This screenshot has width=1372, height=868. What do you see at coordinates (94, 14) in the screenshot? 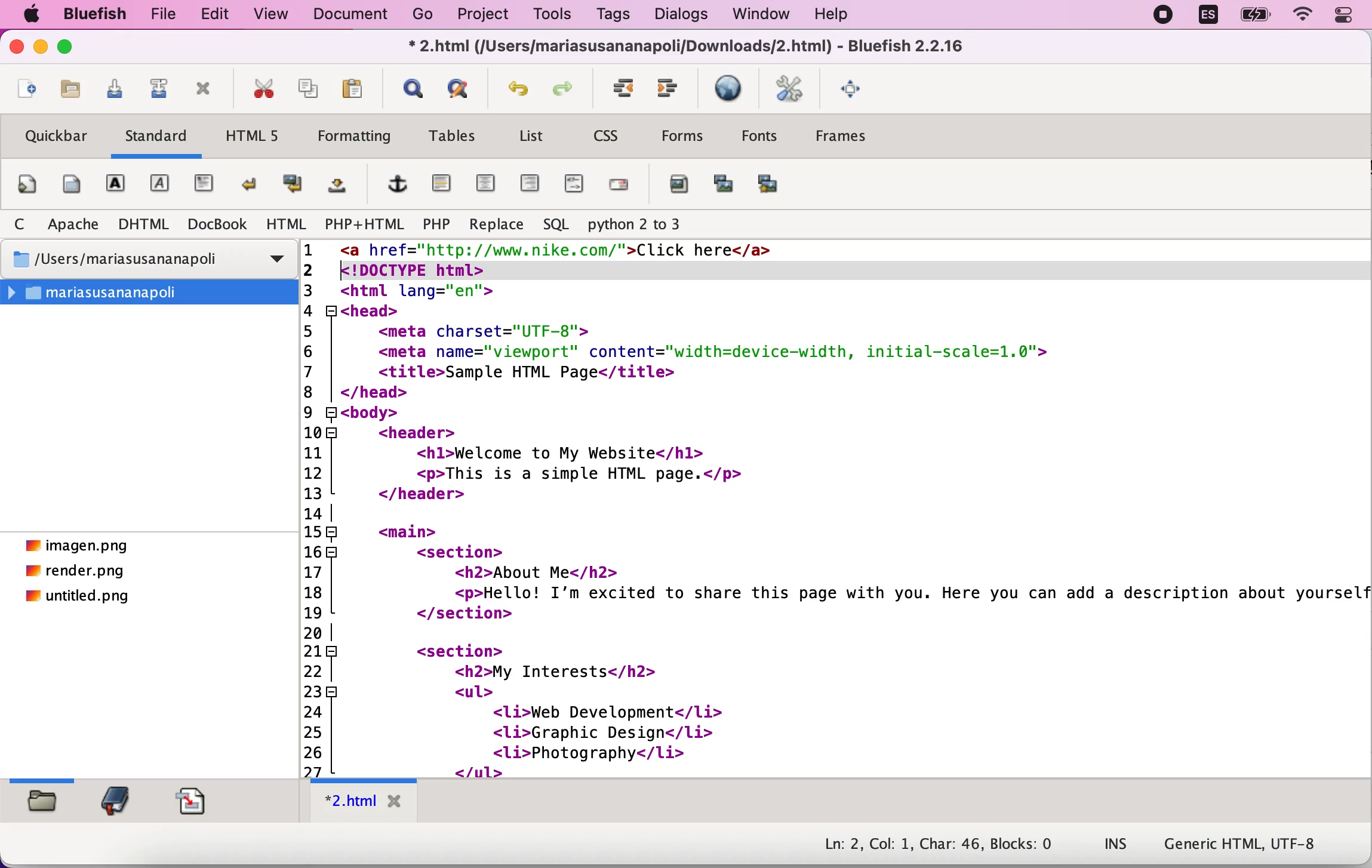
I see `bluefish` at bounding box center [94, 14].